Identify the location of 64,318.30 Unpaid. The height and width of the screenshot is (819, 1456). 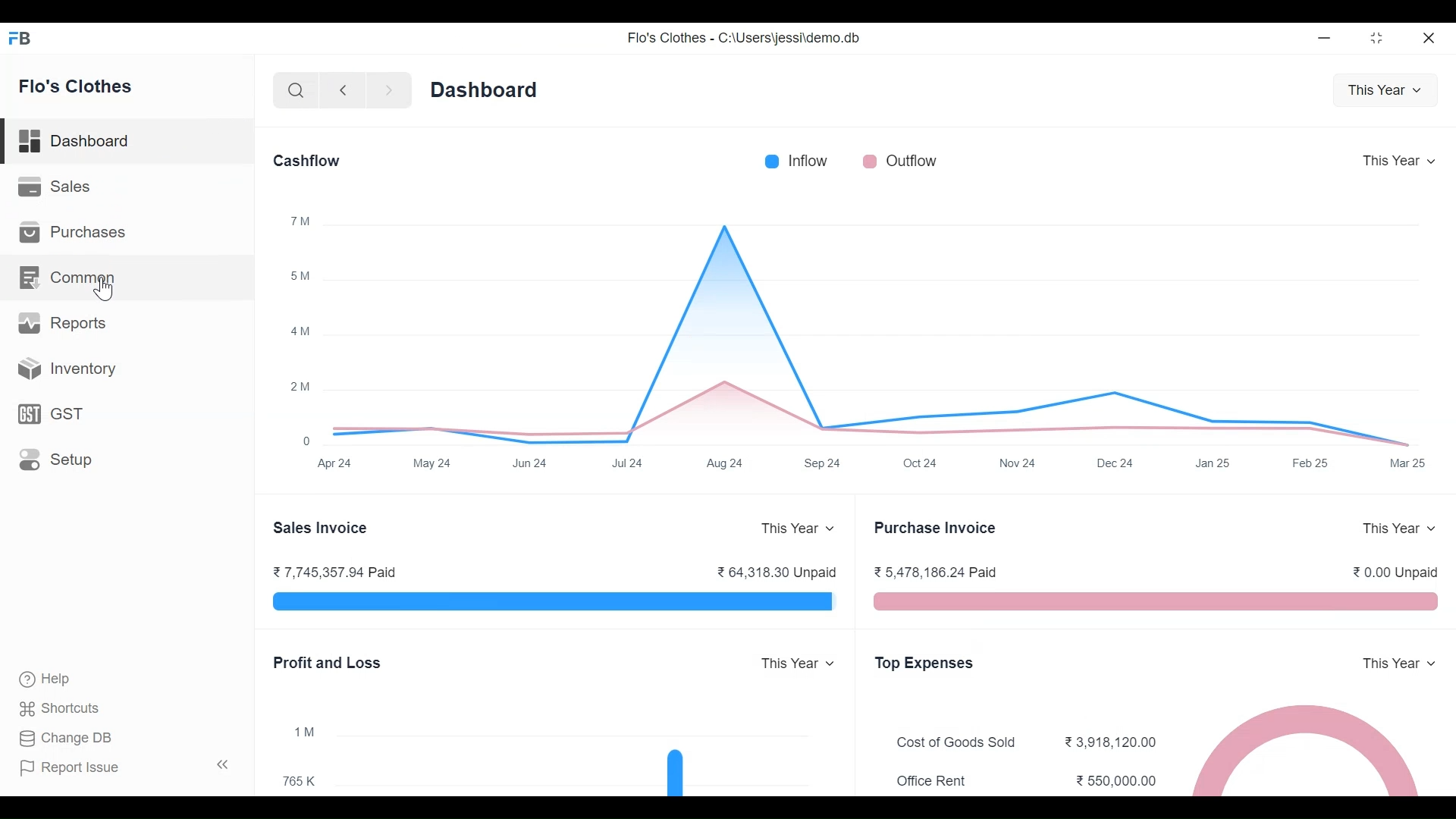
(775, 570).